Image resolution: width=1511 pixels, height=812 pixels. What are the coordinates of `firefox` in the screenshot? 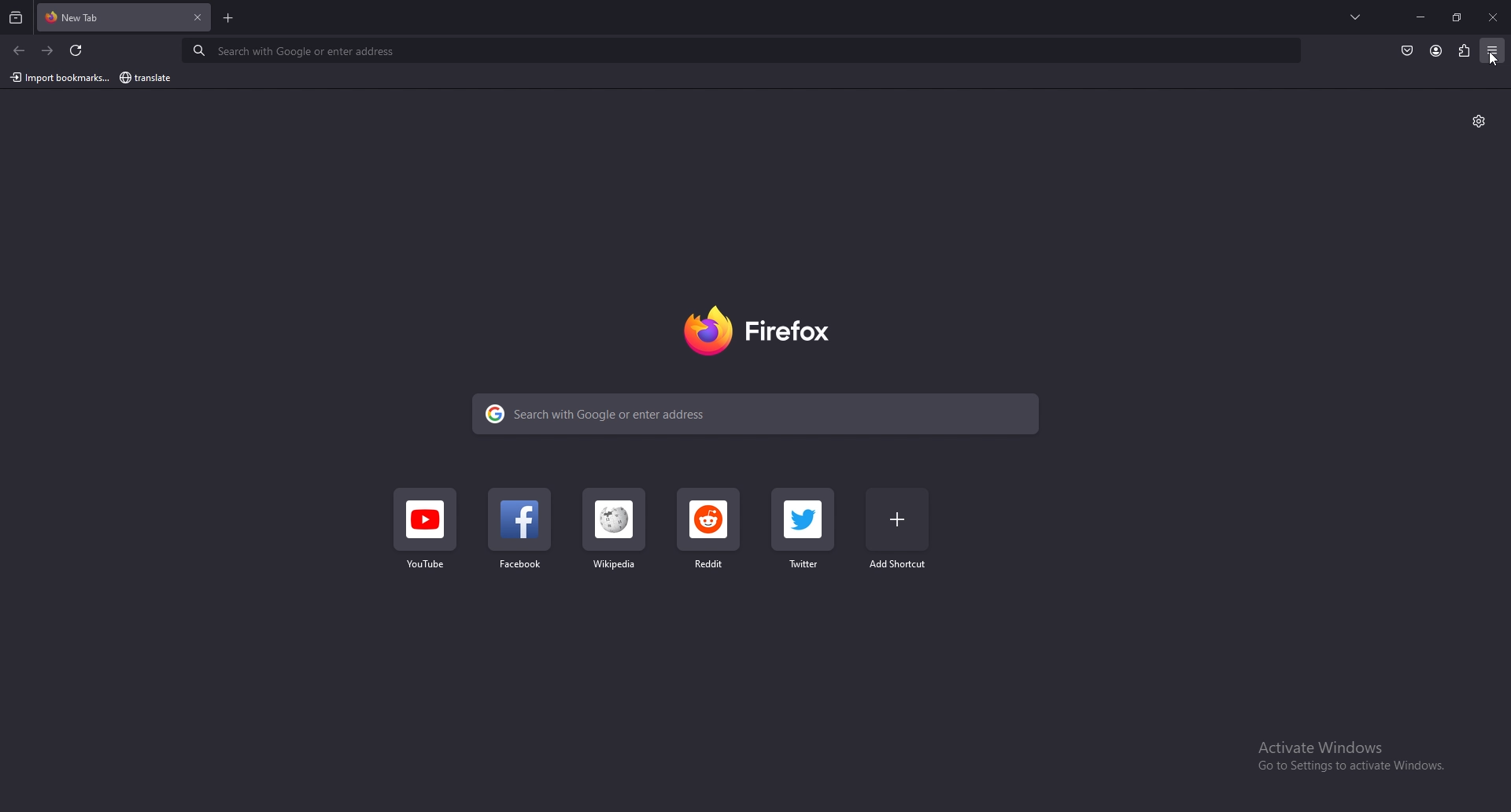 It's located at (763, 331).